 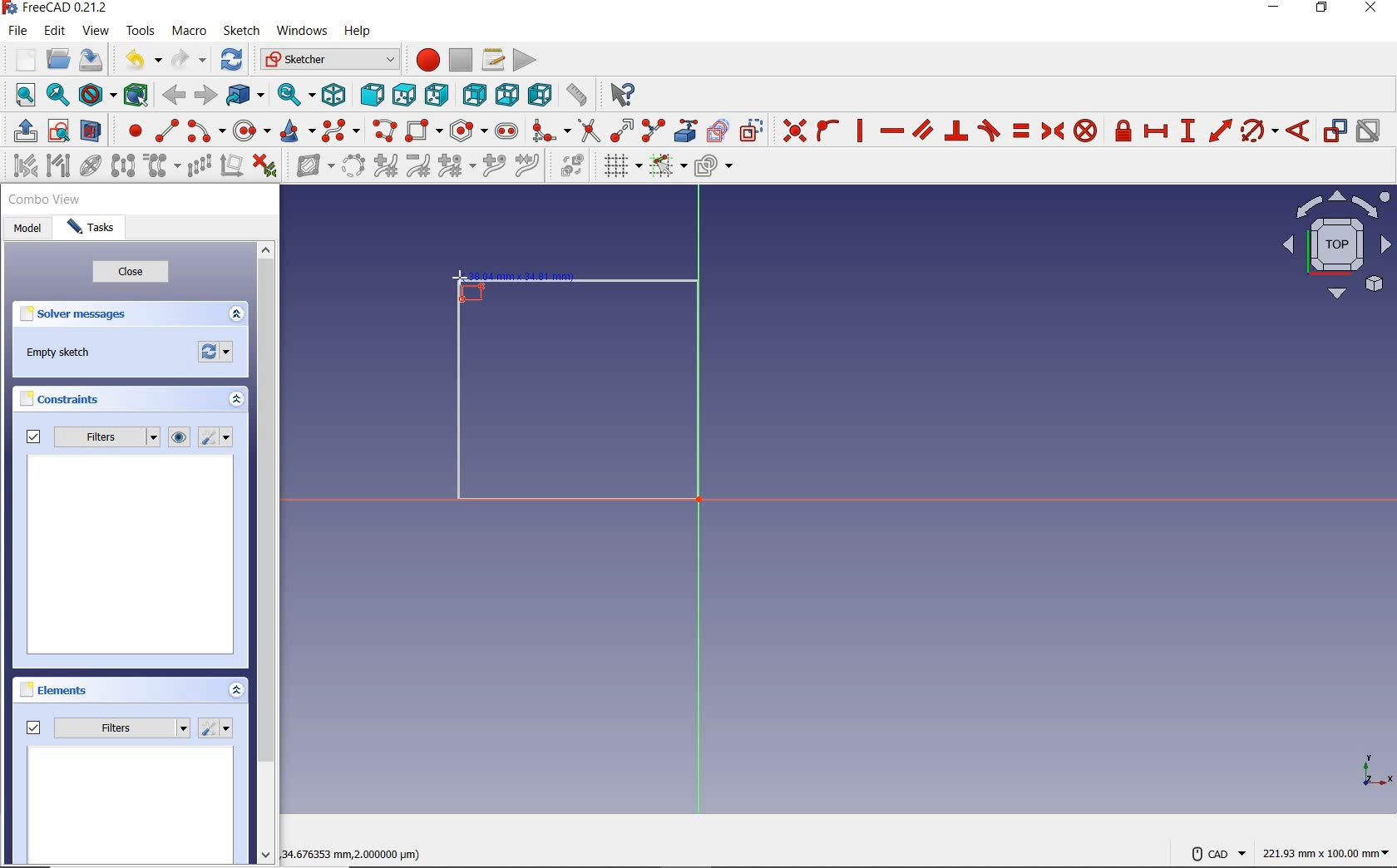 What do you see at coordinates (549, 131) in the screenshot?
I see `create fillet` at bounding box center [549, 131].